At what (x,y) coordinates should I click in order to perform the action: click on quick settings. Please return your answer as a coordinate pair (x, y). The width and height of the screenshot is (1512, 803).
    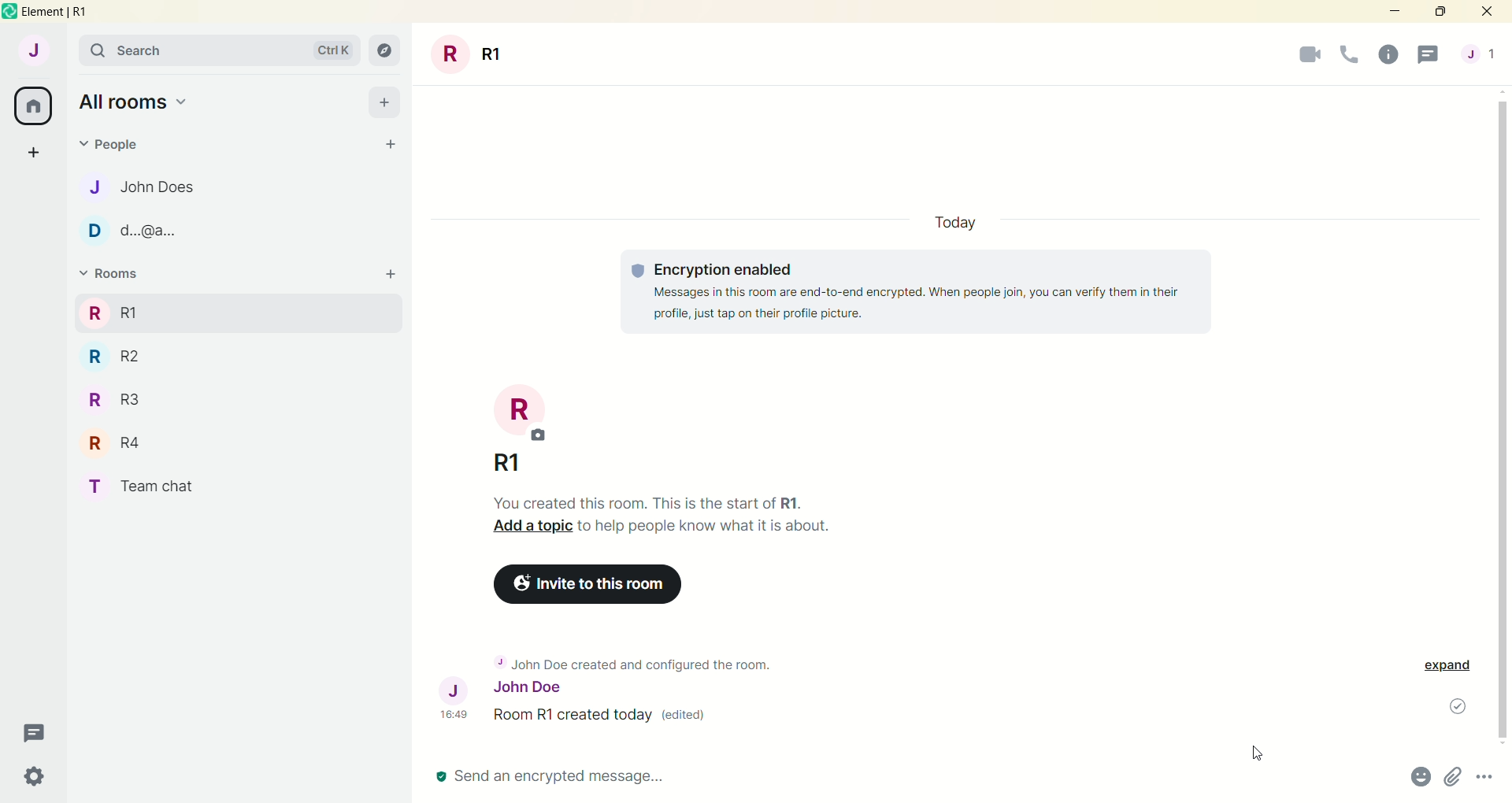
    Looking at the image, I should click on (40, 774).